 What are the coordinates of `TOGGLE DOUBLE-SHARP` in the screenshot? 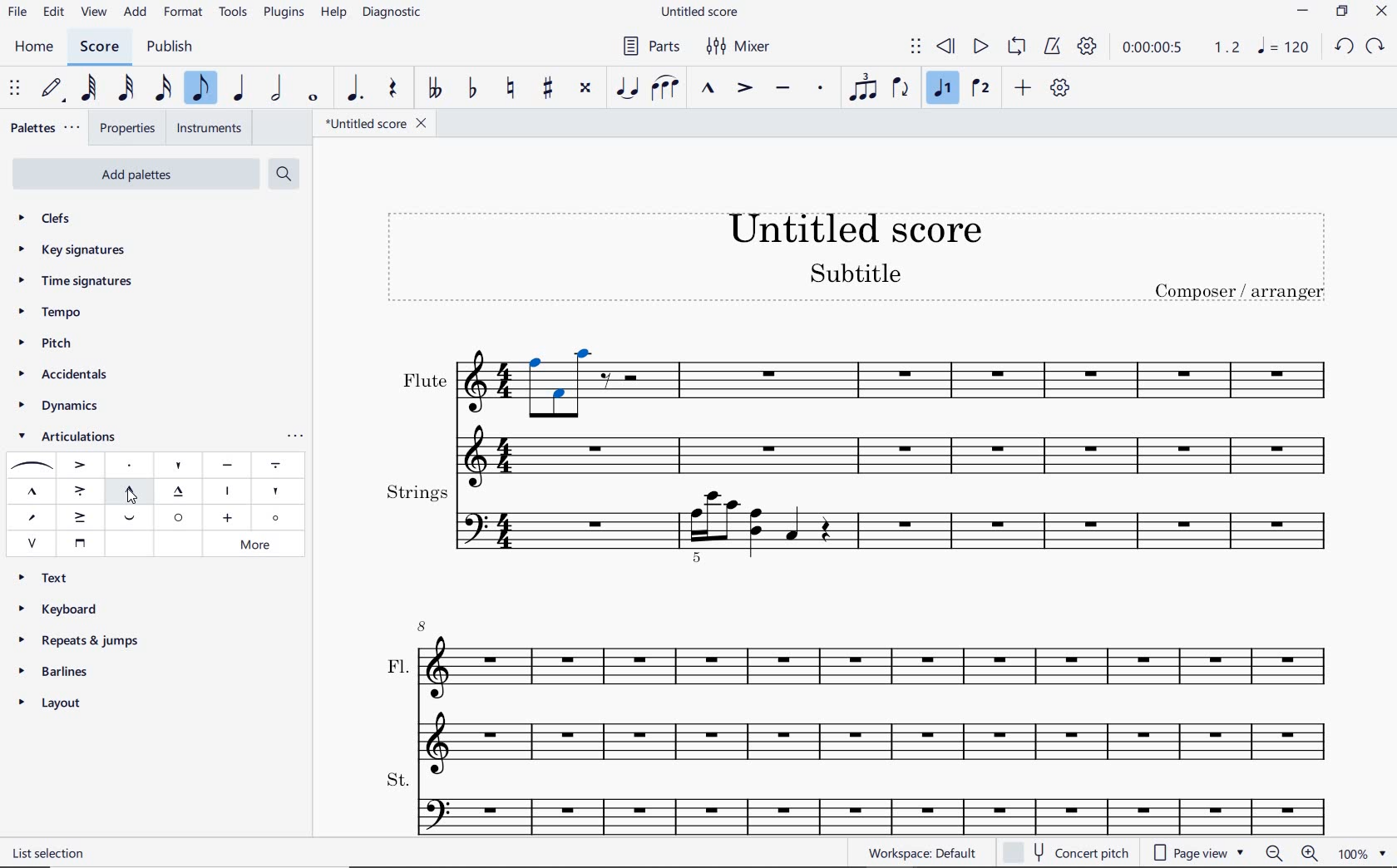 It's located at (585, 88).